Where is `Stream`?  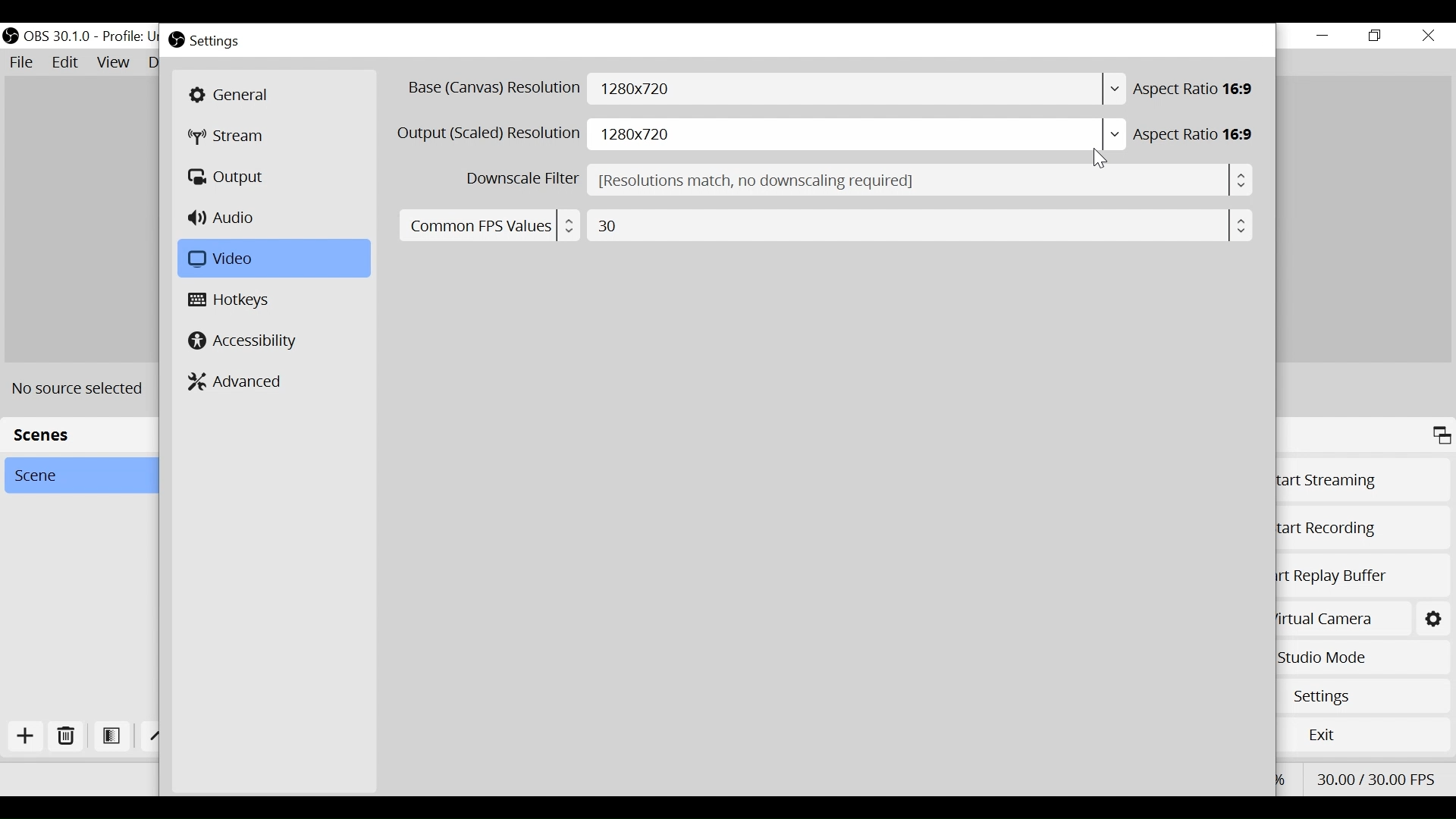
Stream is located at coordinates (234, 137).